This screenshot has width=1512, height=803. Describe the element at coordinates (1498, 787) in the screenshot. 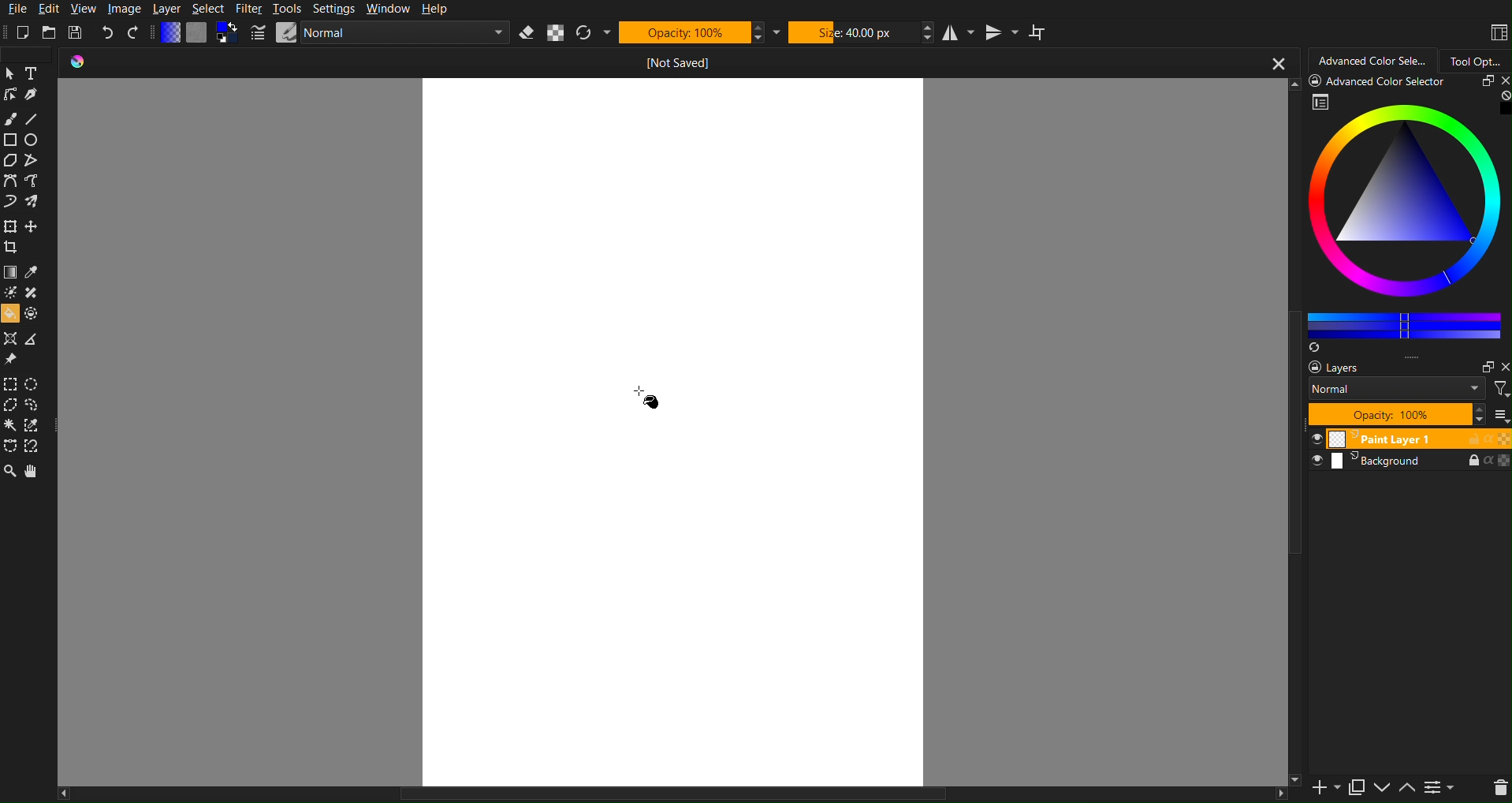

I see `Delete` at that location.